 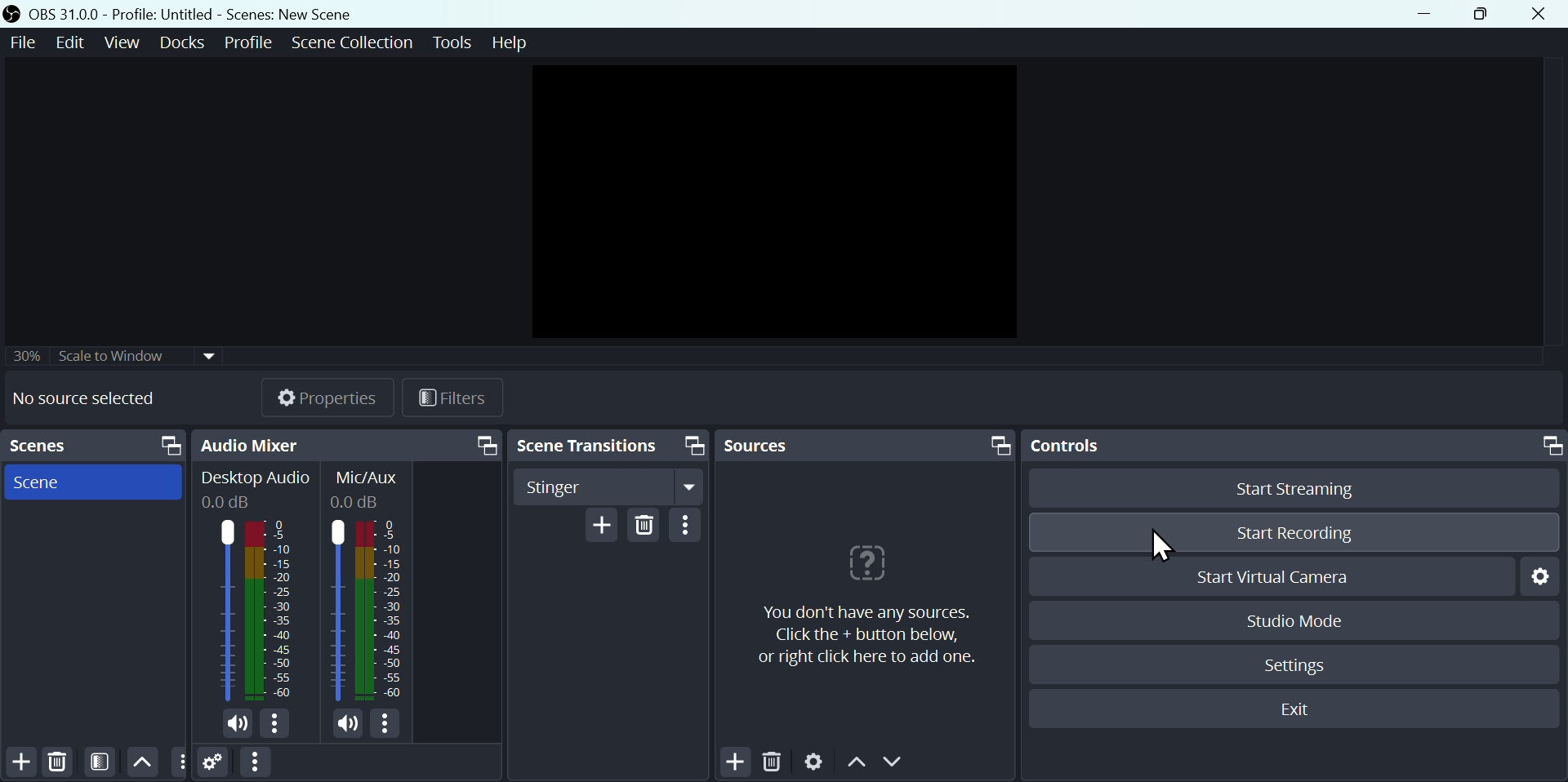 What do you see at coordinates (44, 484) in the screenshot?
I see ` Scenes` at bounding box center [44, 484].